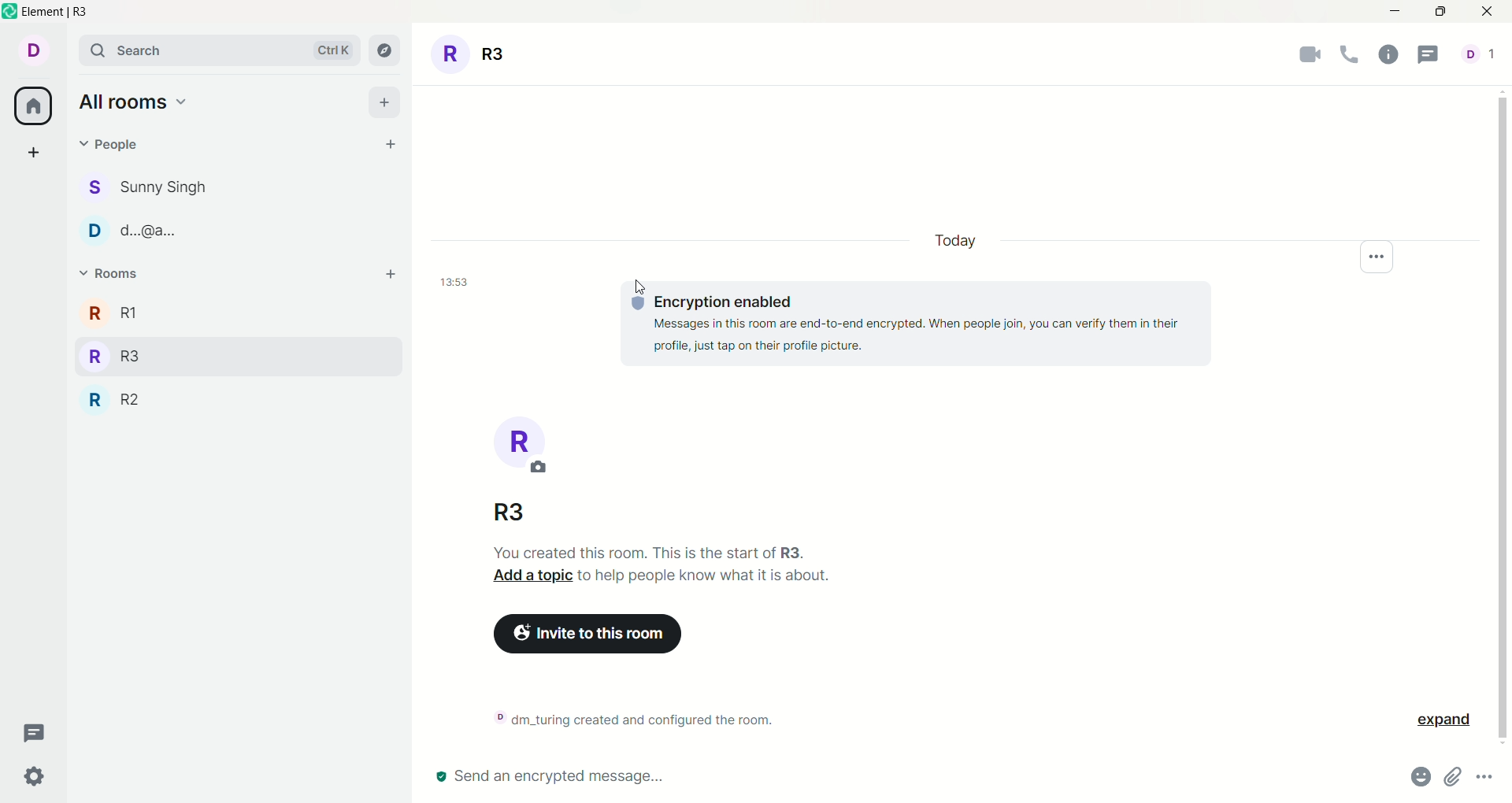 This screenshot has width=1512, height=803. What do you see at coordinates (917, 324) in the screenshot?
I see `text` at bounding box center [917, 324].